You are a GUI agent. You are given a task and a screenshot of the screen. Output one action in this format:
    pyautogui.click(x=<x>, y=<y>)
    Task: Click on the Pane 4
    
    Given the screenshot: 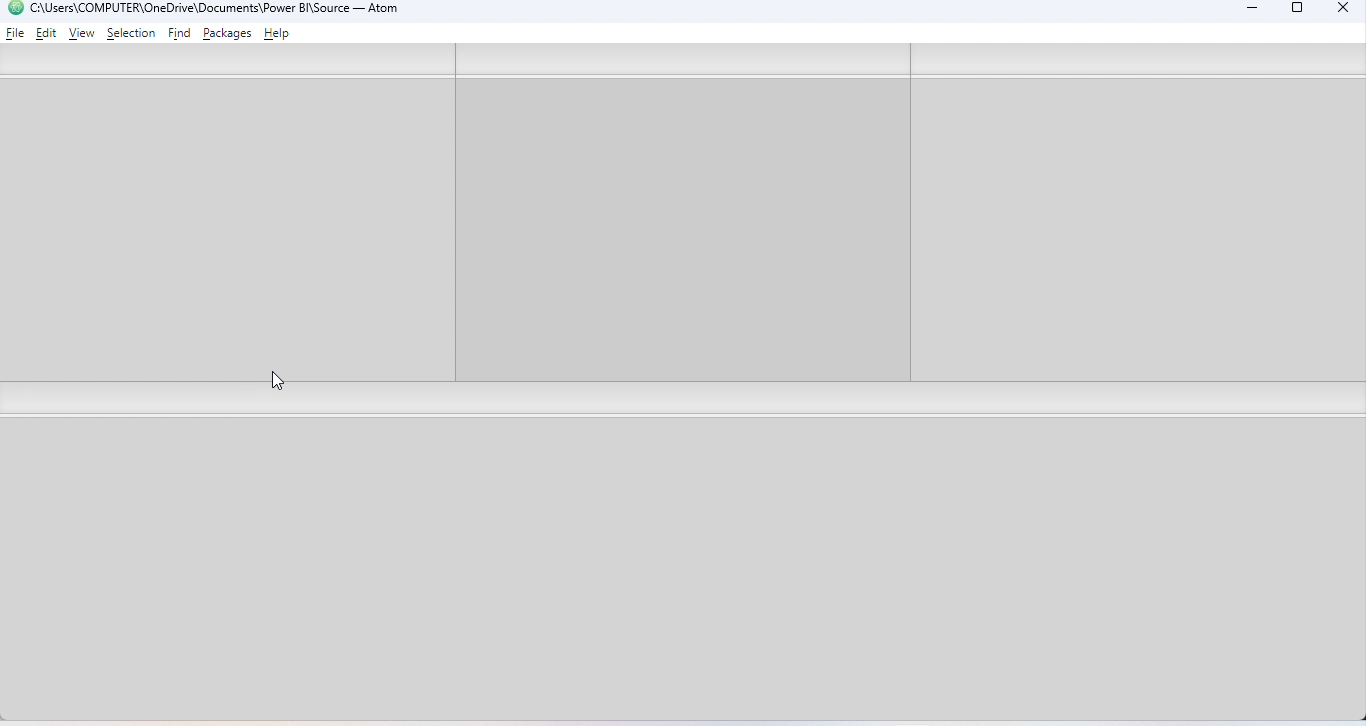 What is the action you would take?
    pyautogui.click(x=688, y=569)
    